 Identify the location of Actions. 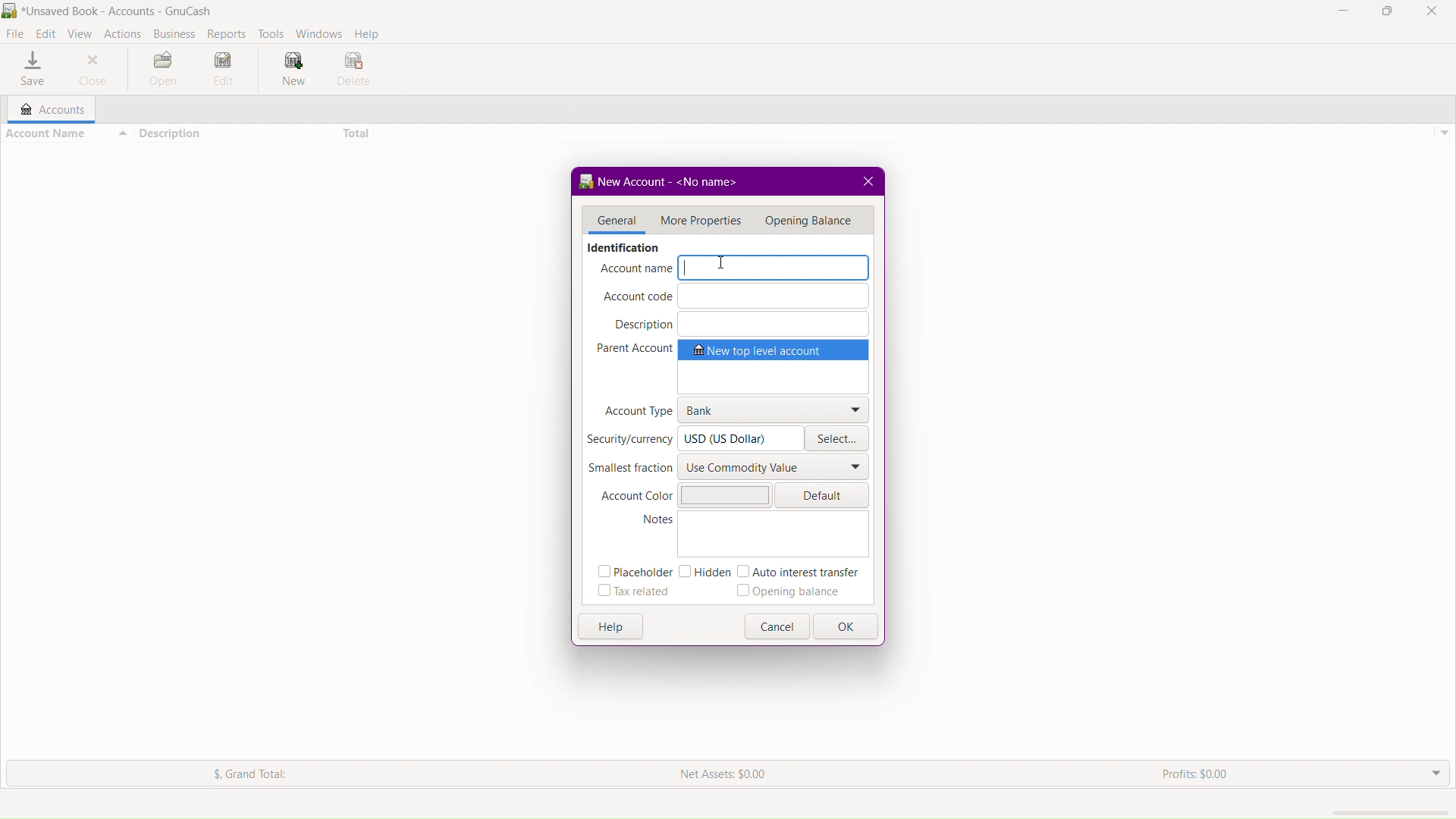
(122, 32).